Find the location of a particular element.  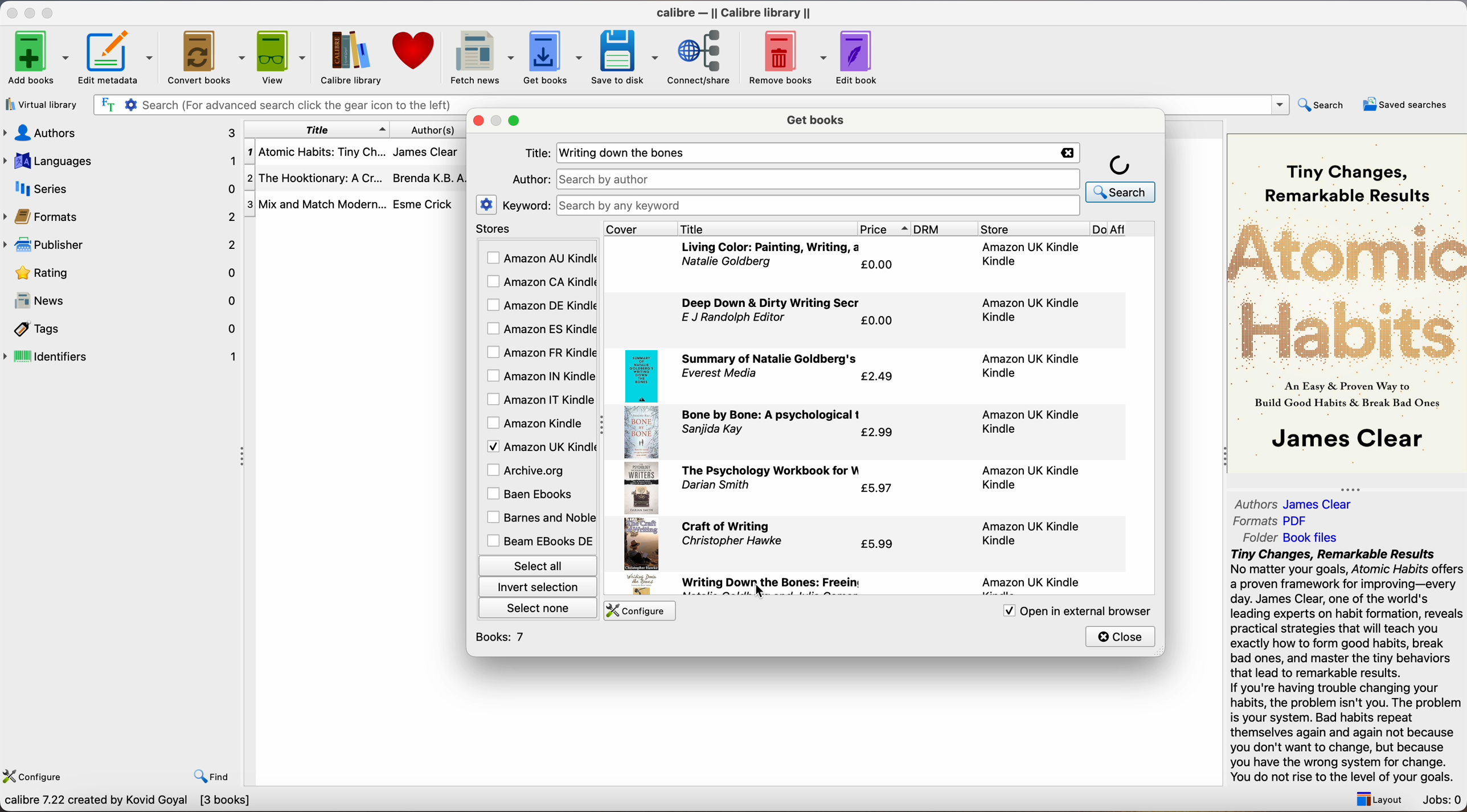

search is located at coordinates (1323, 104).